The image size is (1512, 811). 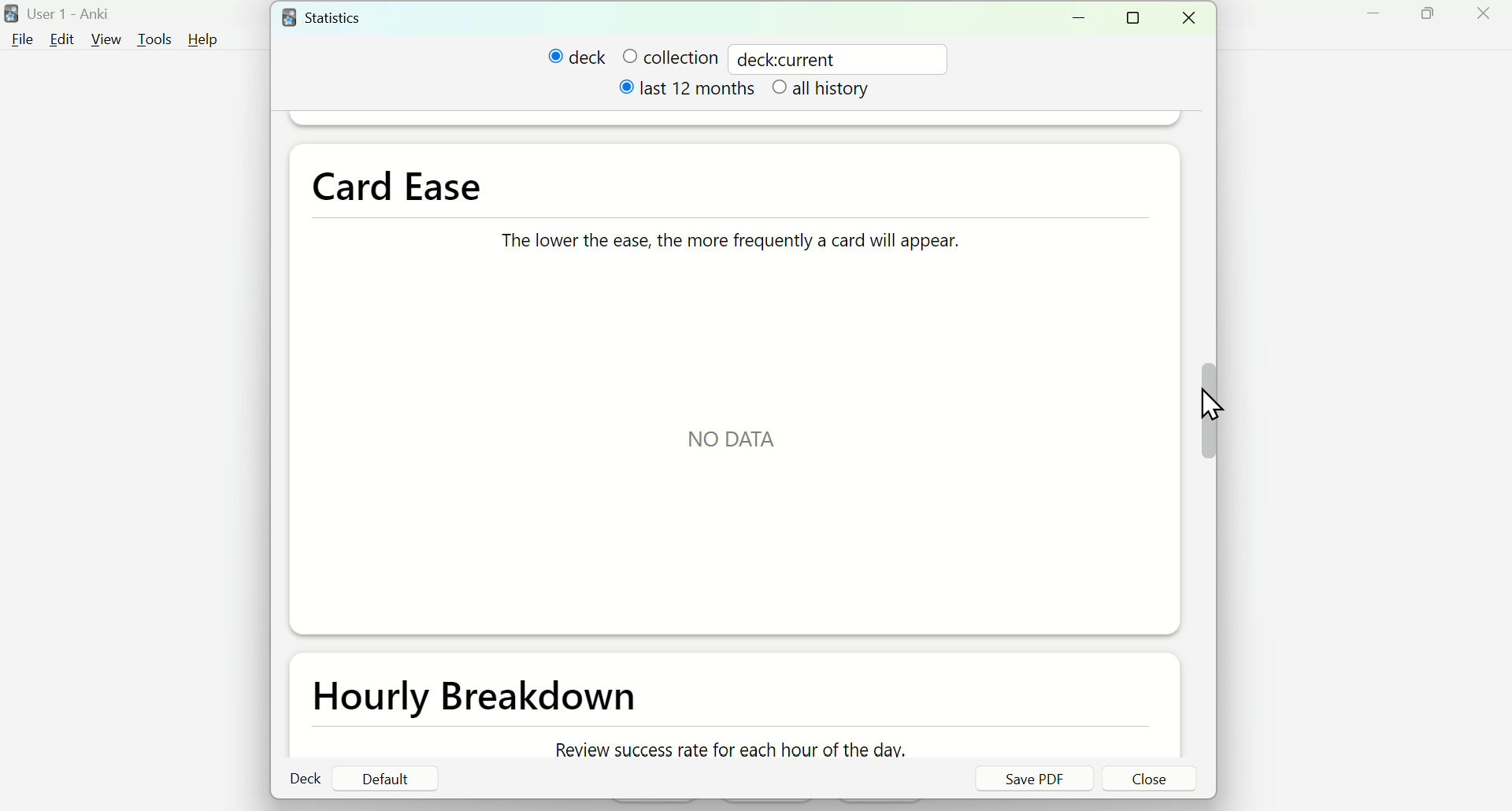 I want to click on File, so click(x=24, y=39).